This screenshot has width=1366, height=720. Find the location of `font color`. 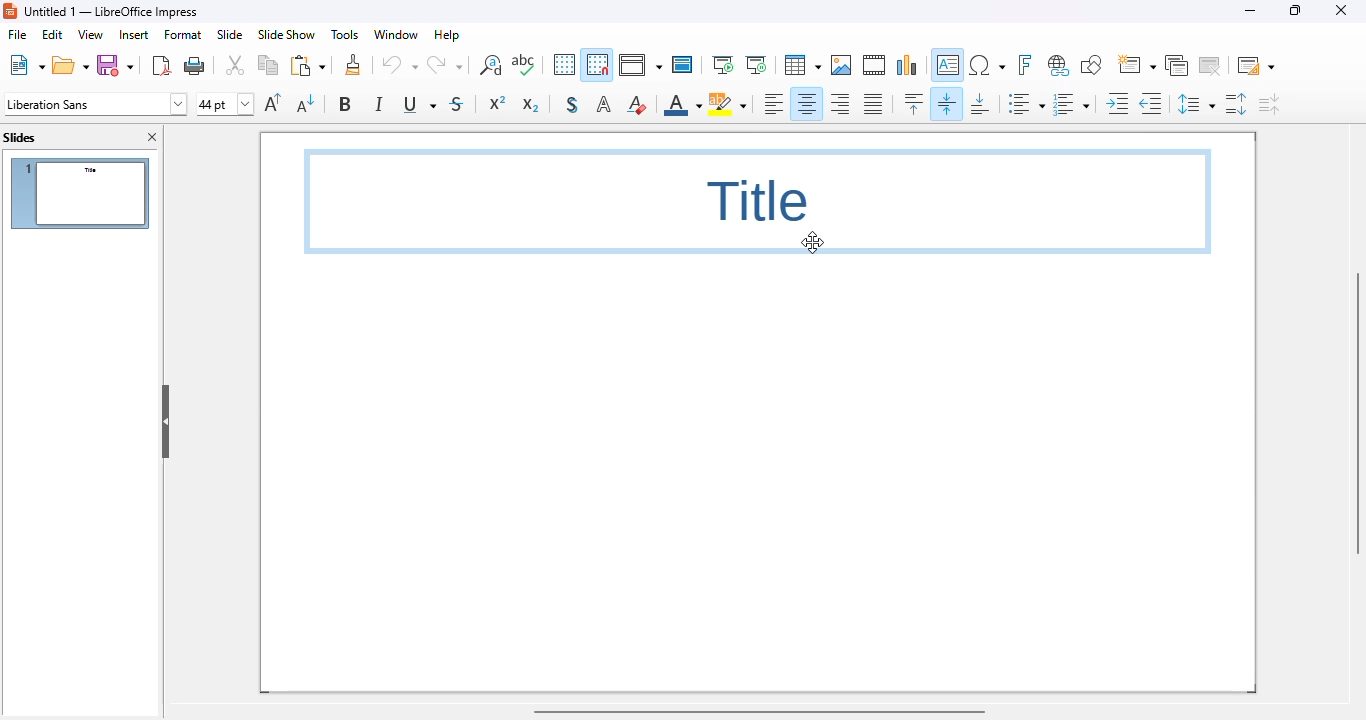

font color is located at coordinates (683, 103).